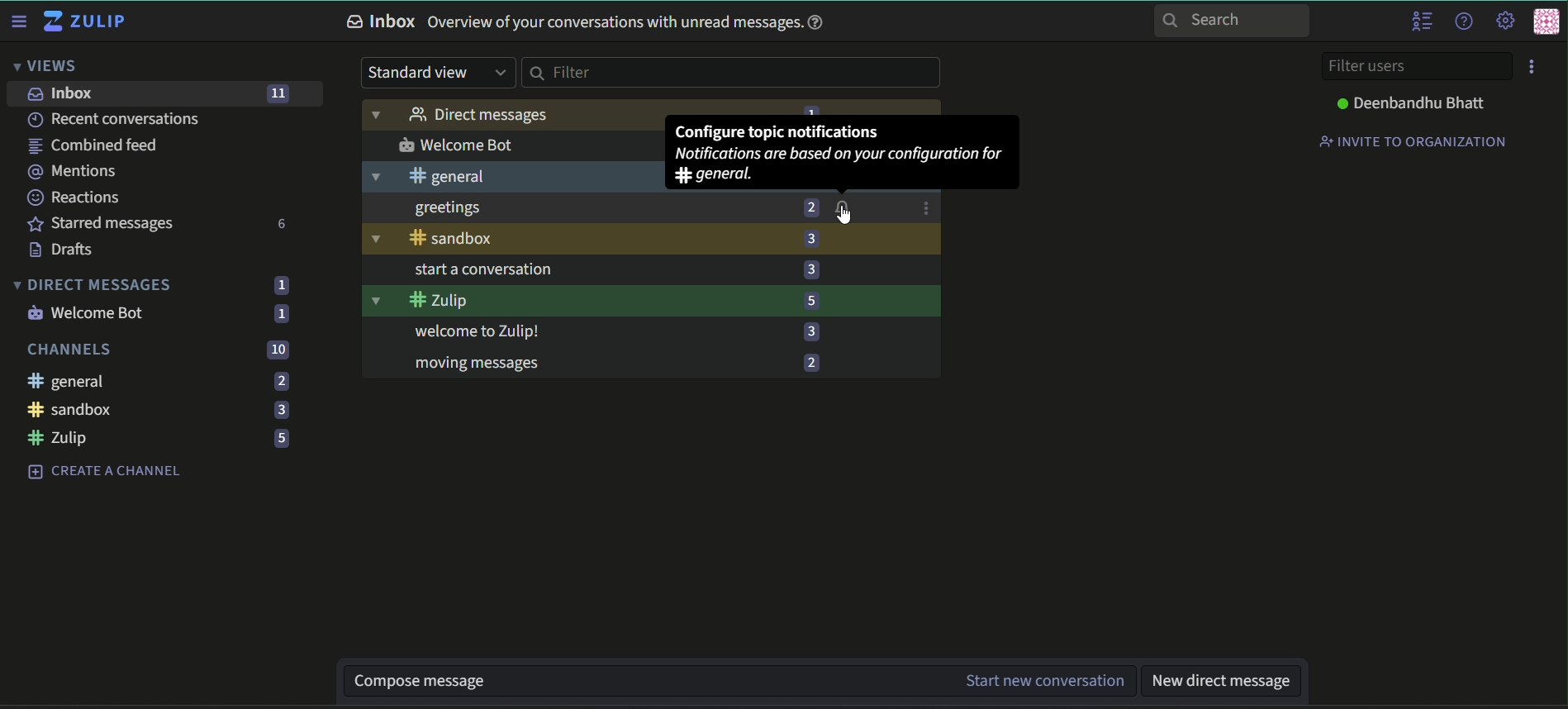  I want to click on welcome to Zulip!, so click(595, 331).